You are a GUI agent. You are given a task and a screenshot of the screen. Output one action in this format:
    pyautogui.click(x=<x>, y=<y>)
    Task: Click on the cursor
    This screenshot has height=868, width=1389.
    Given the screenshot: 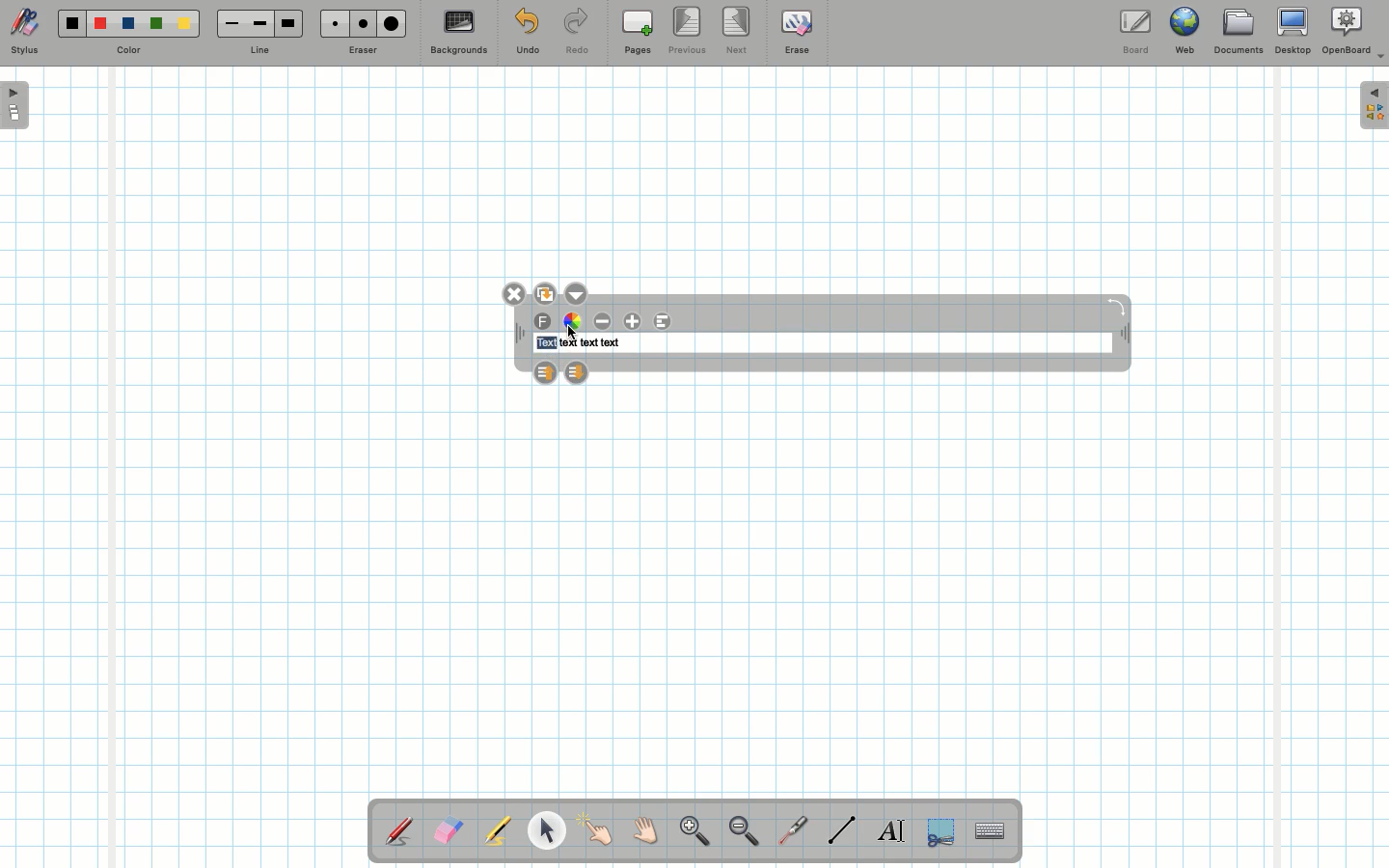 What is the action you would take?
    pyautogui.click(x=572, y=331)
    